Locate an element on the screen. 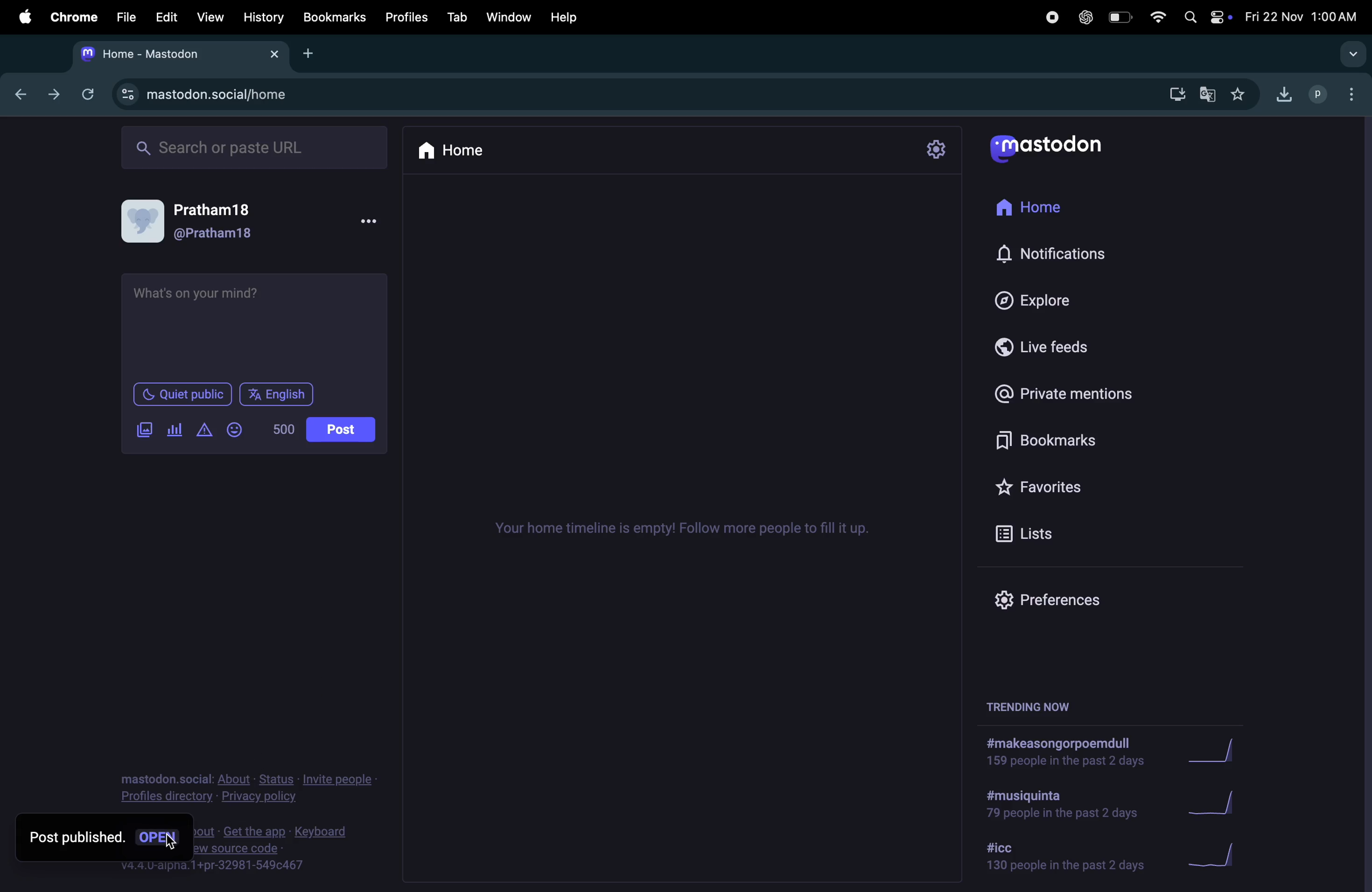  close tab is located at coordinates (277, 58).